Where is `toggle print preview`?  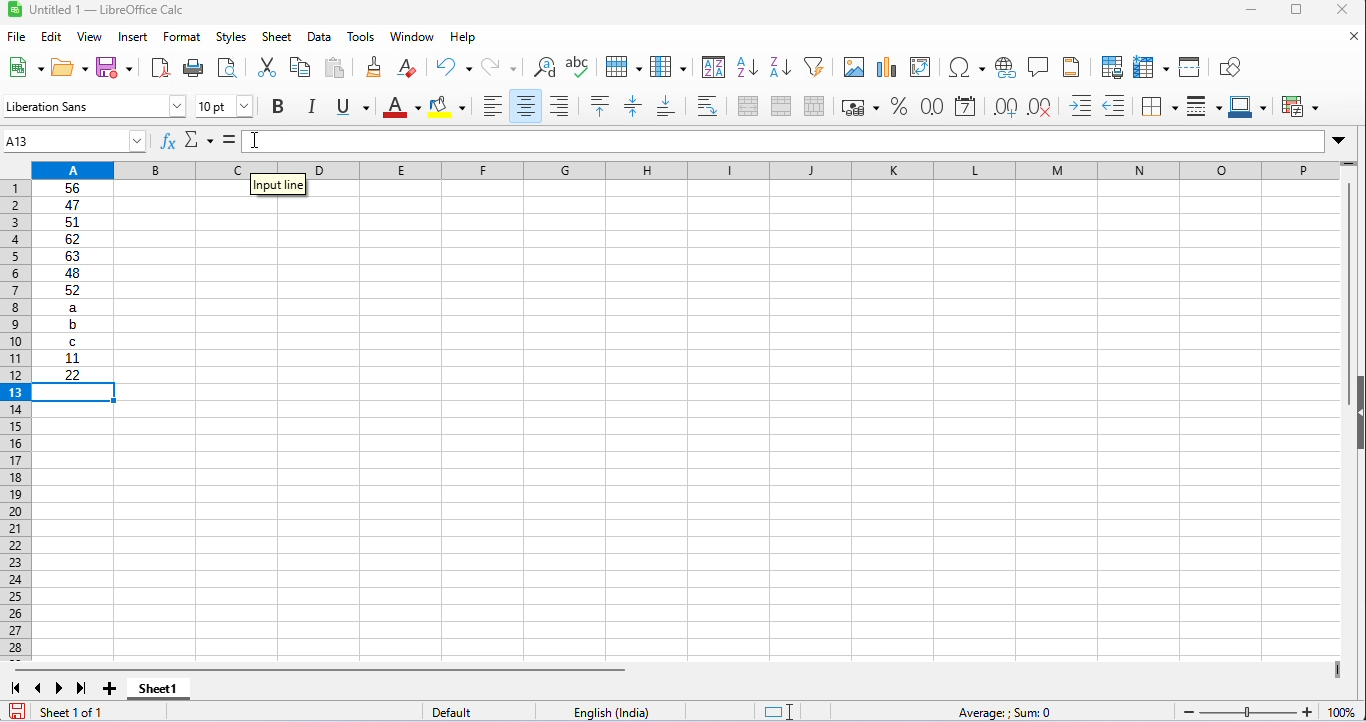
toggle print preview is located at coordinates (227, 67).